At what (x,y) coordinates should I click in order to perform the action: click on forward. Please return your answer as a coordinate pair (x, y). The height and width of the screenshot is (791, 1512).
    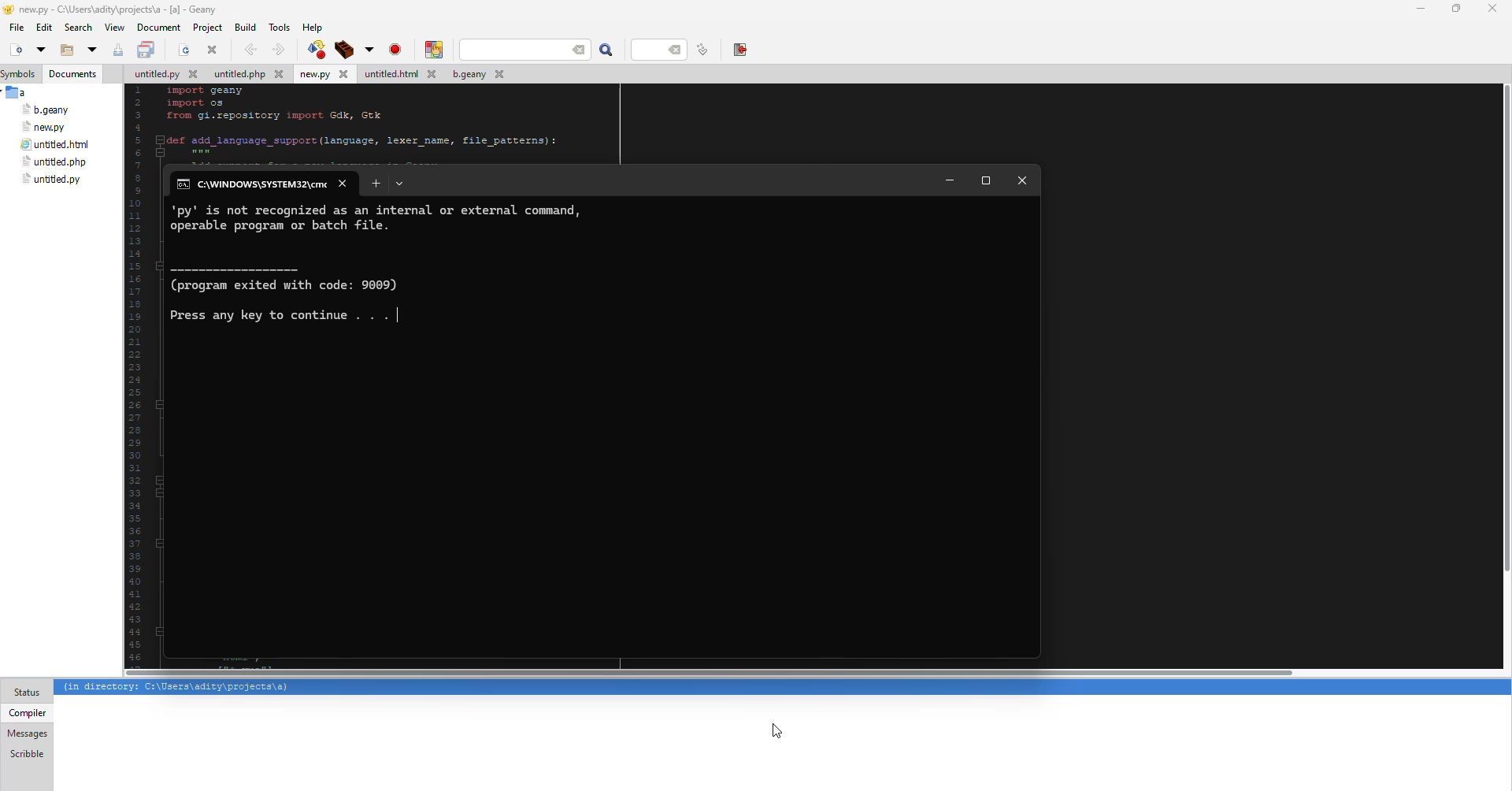
    Looking at the image, I should click on (280, 50).